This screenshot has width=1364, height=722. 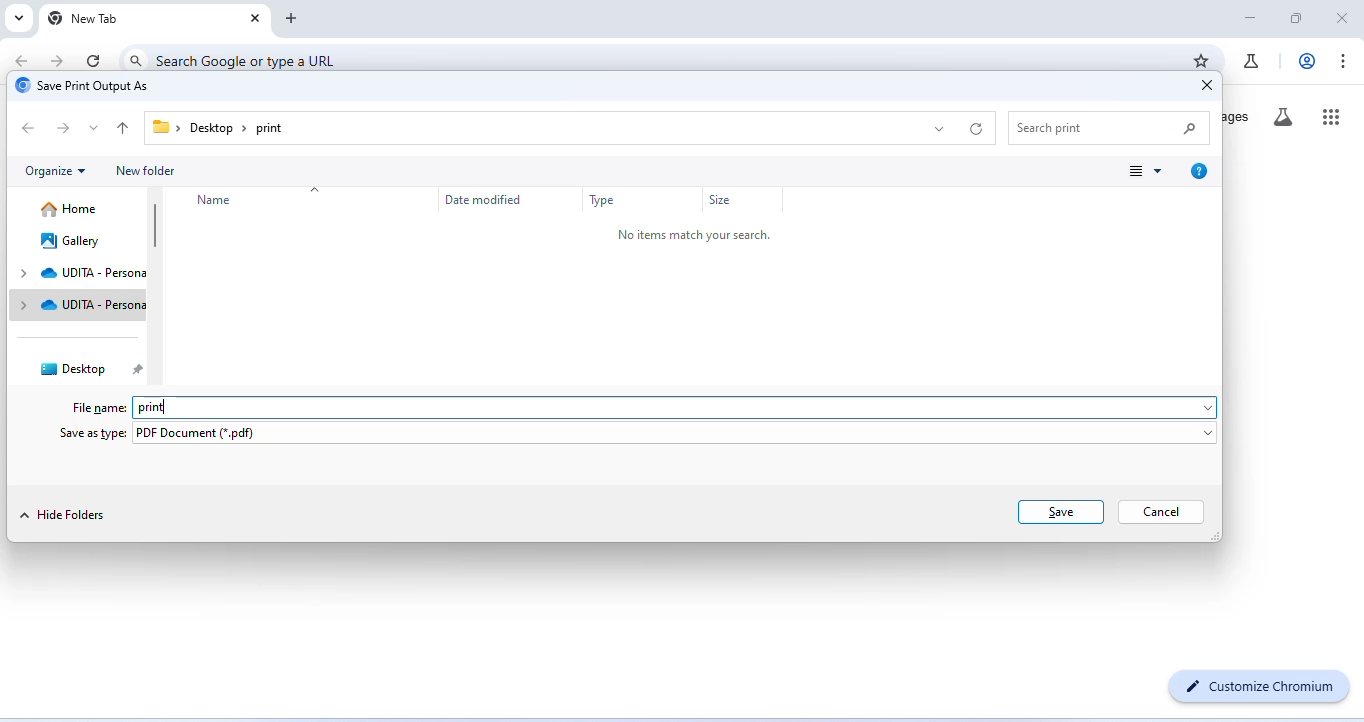 What do you see at coordinates (24, 60) in the screenshot?
I see `go back` at bounding box center [24, 60].